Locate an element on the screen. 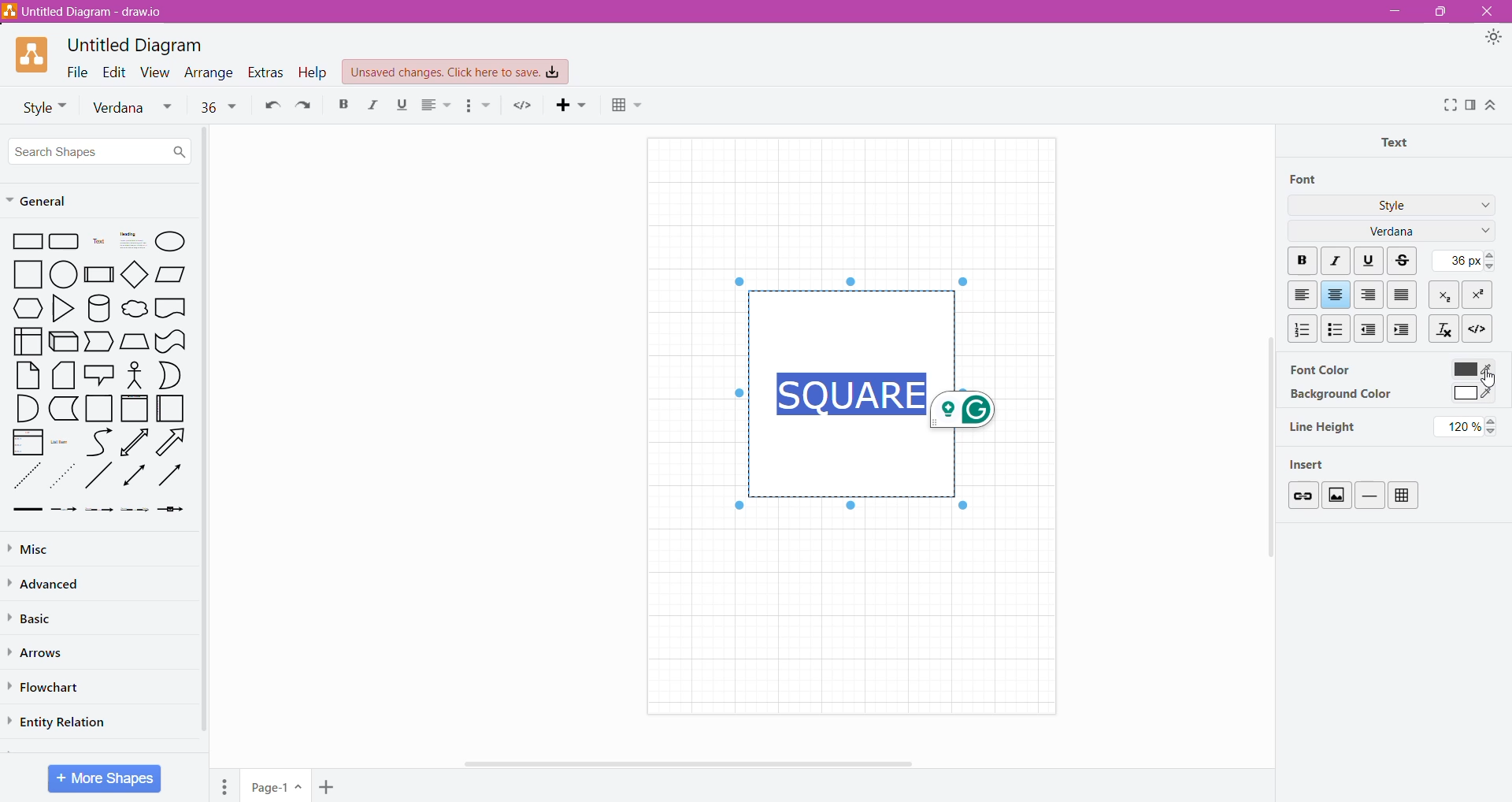  Font Color is located at coordinates (1319, 369).